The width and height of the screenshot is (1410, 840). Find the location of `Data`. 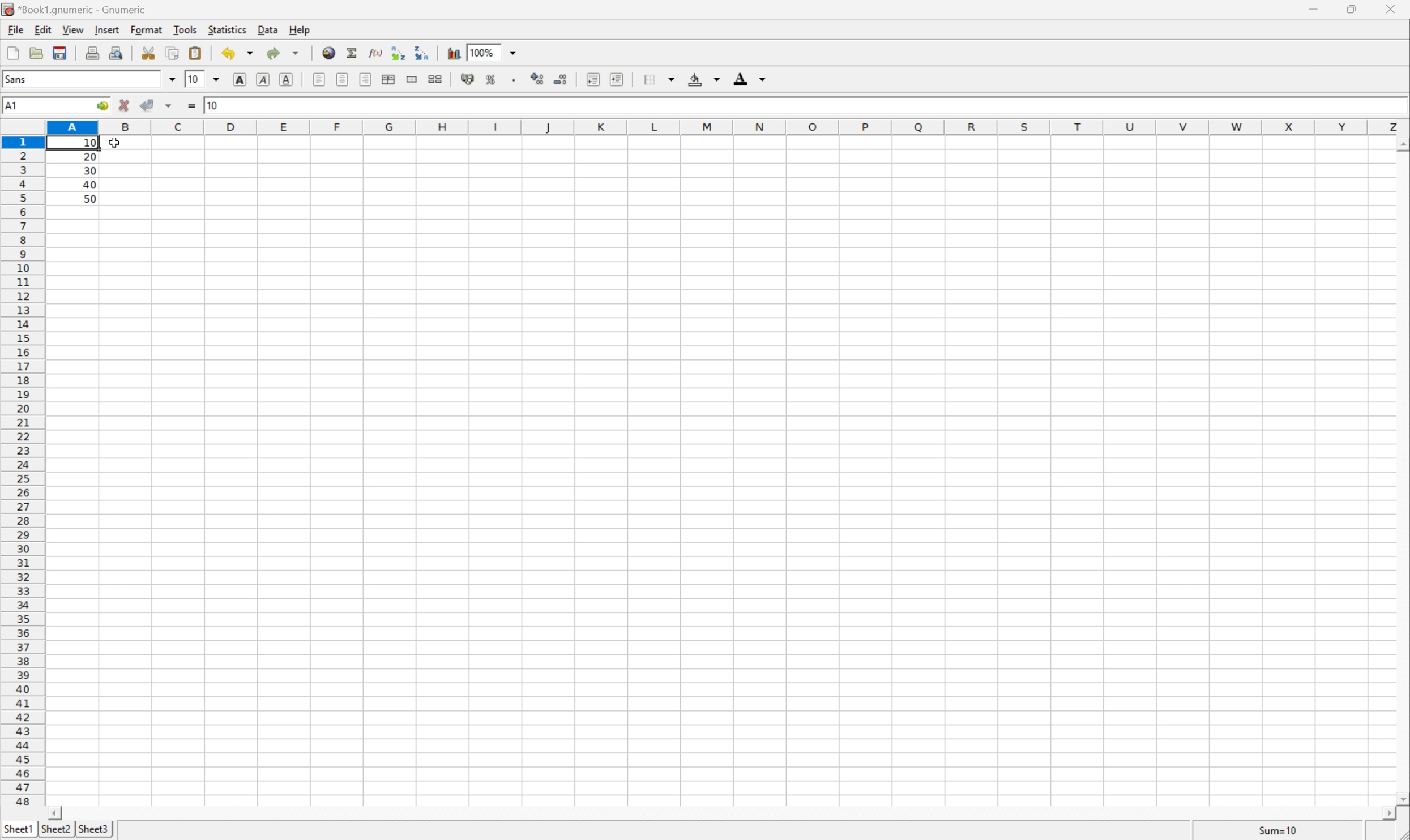

Data is located at coordinates (269, 30).